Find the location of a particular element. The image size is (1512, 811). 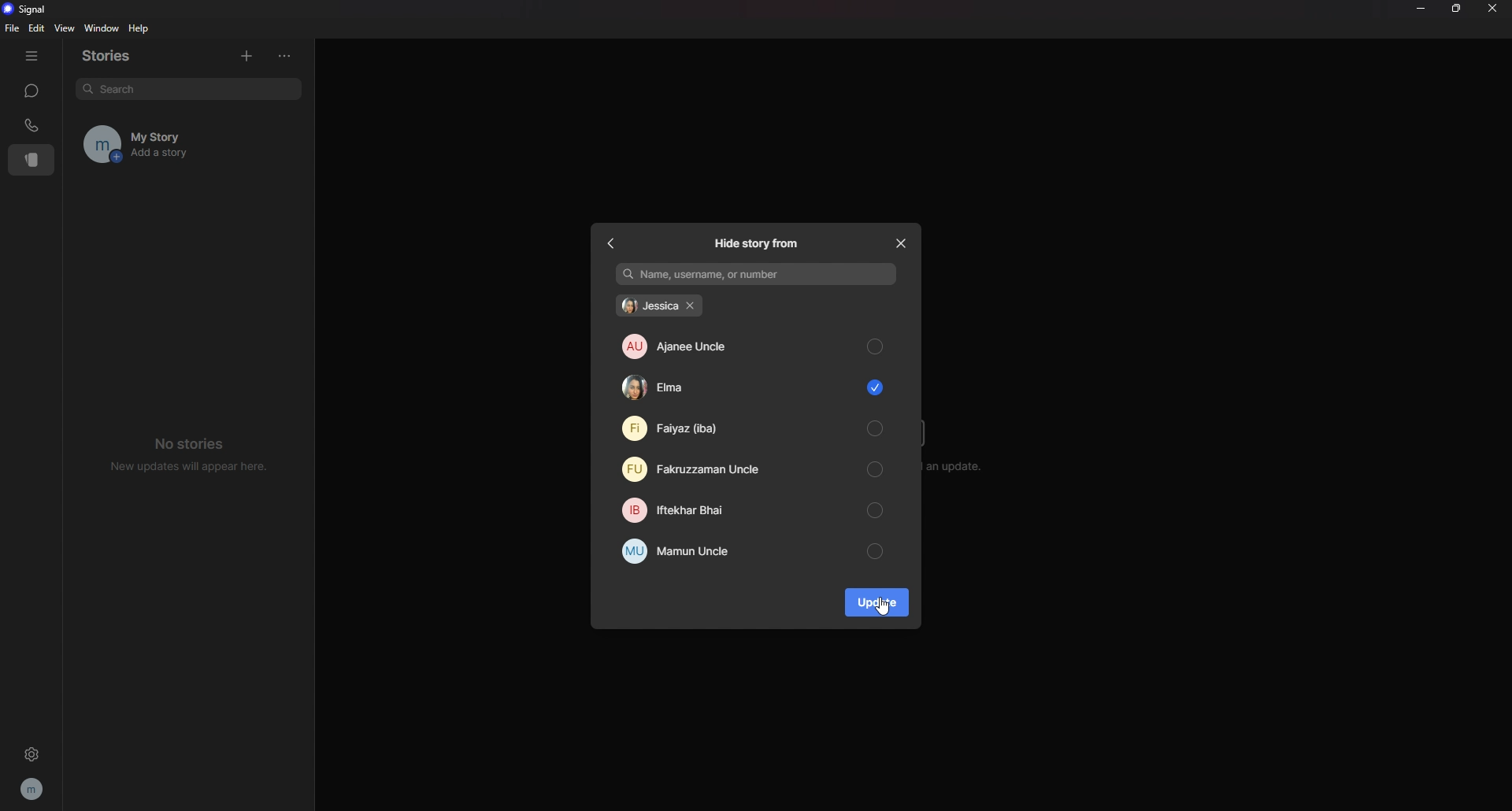

iftekhar bhai is located at coordinates (753, 508).